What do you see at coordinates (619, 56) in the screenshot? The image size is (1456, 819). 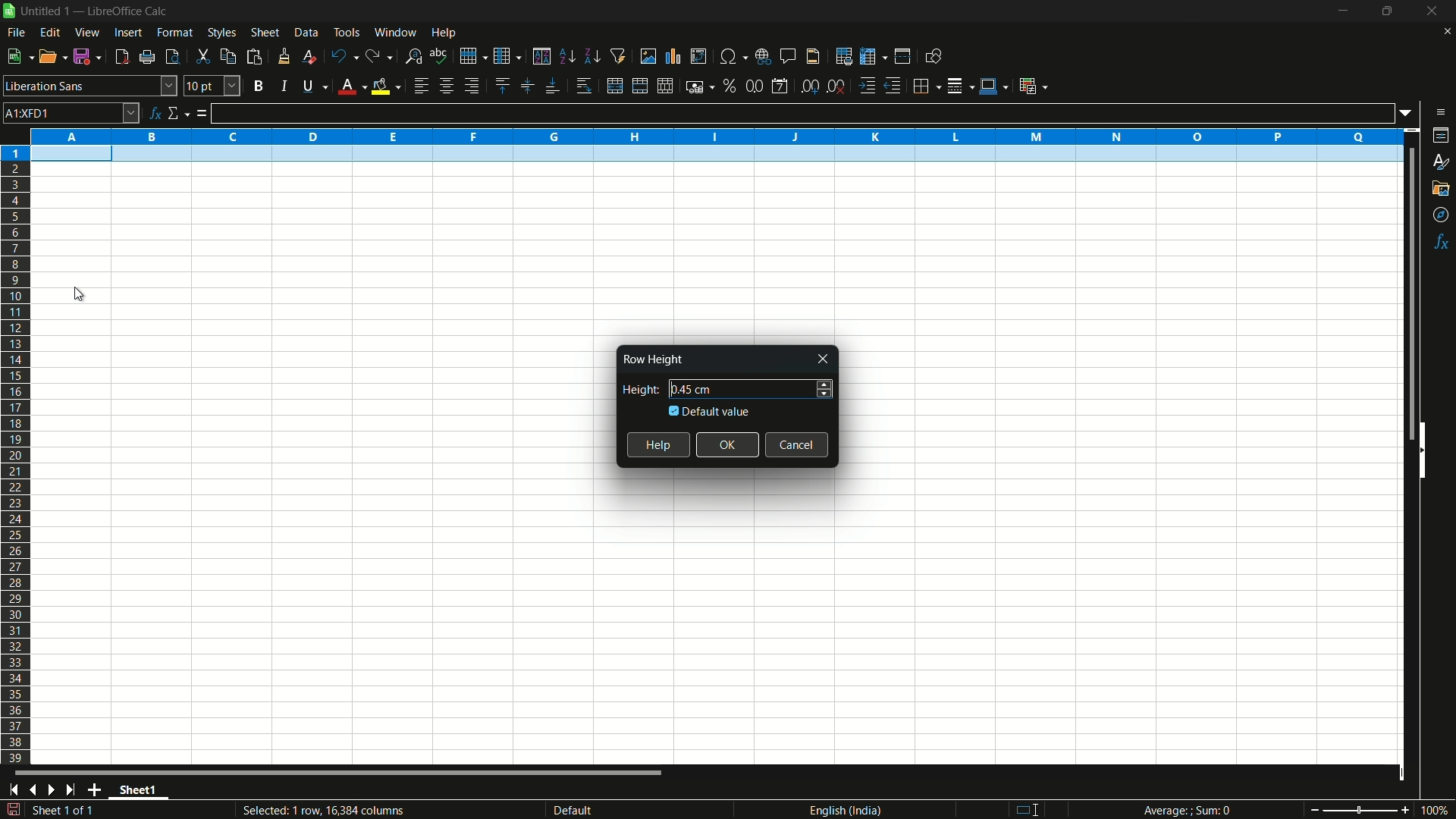 I see `auto filter` at bounding box center [619, 56].